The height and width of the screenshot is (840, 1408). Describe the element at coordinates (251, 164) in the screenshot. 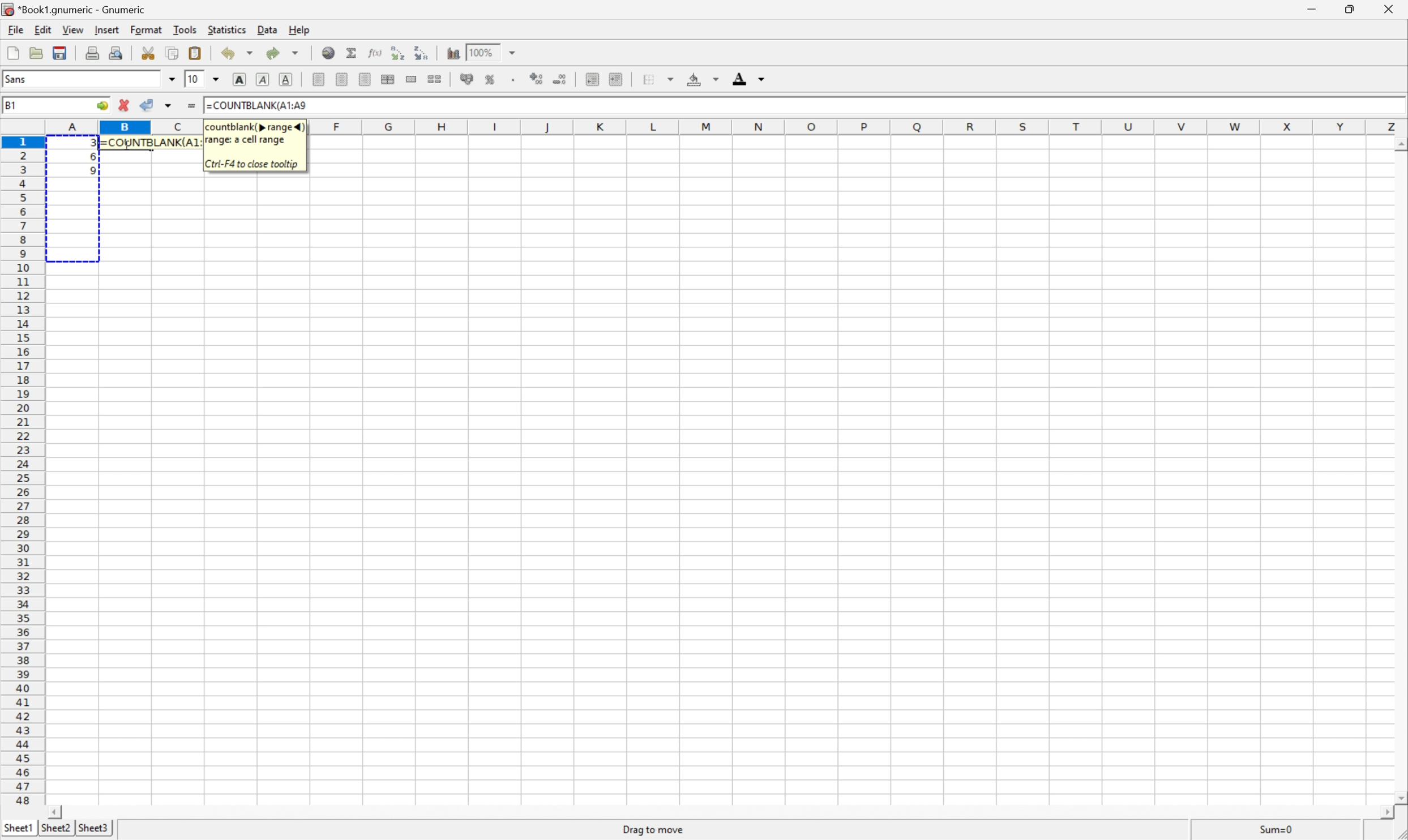

I see `Ctrl+F4 to close tooltip` at that location.